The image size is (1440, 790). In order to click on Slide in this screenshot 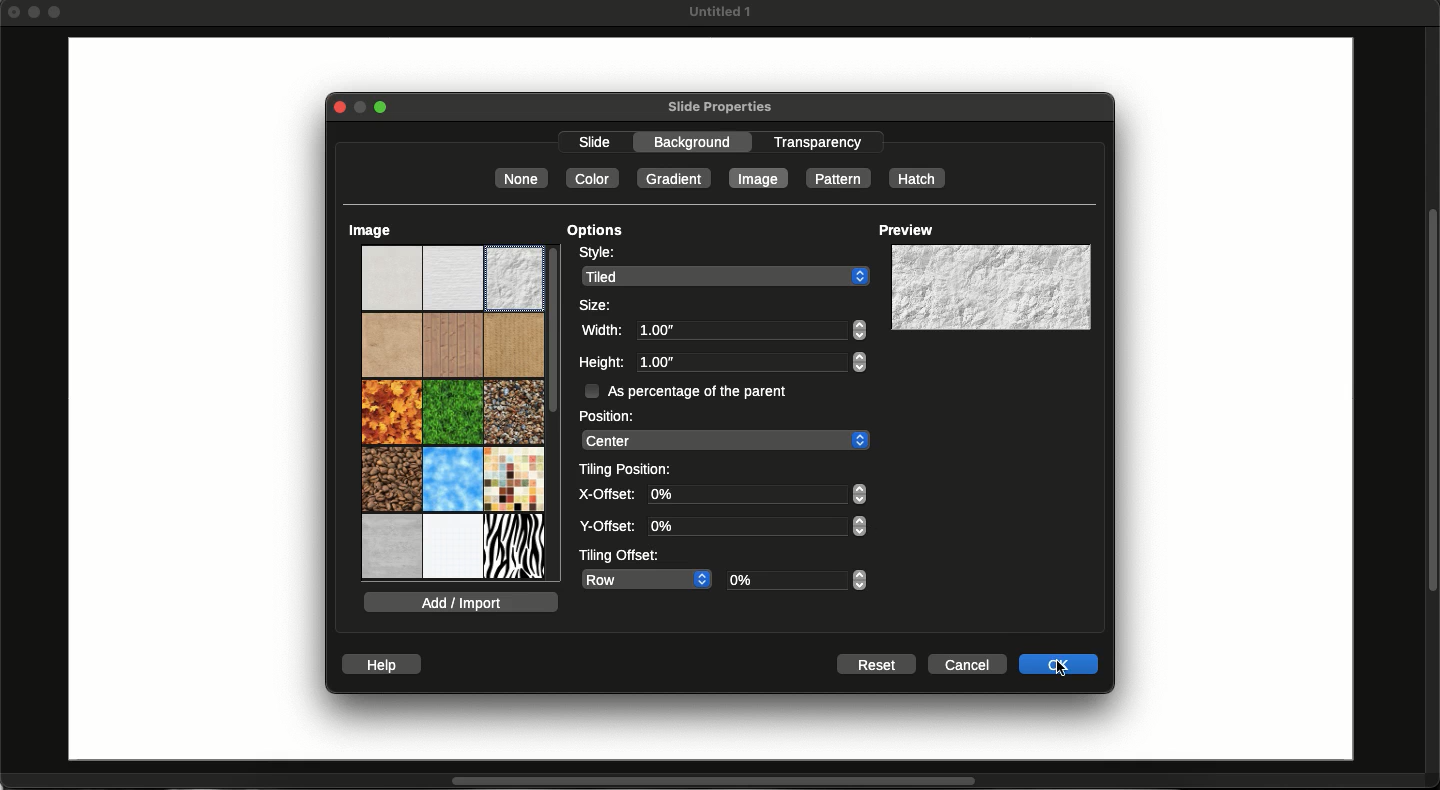, I will do `click(595, 144)`.